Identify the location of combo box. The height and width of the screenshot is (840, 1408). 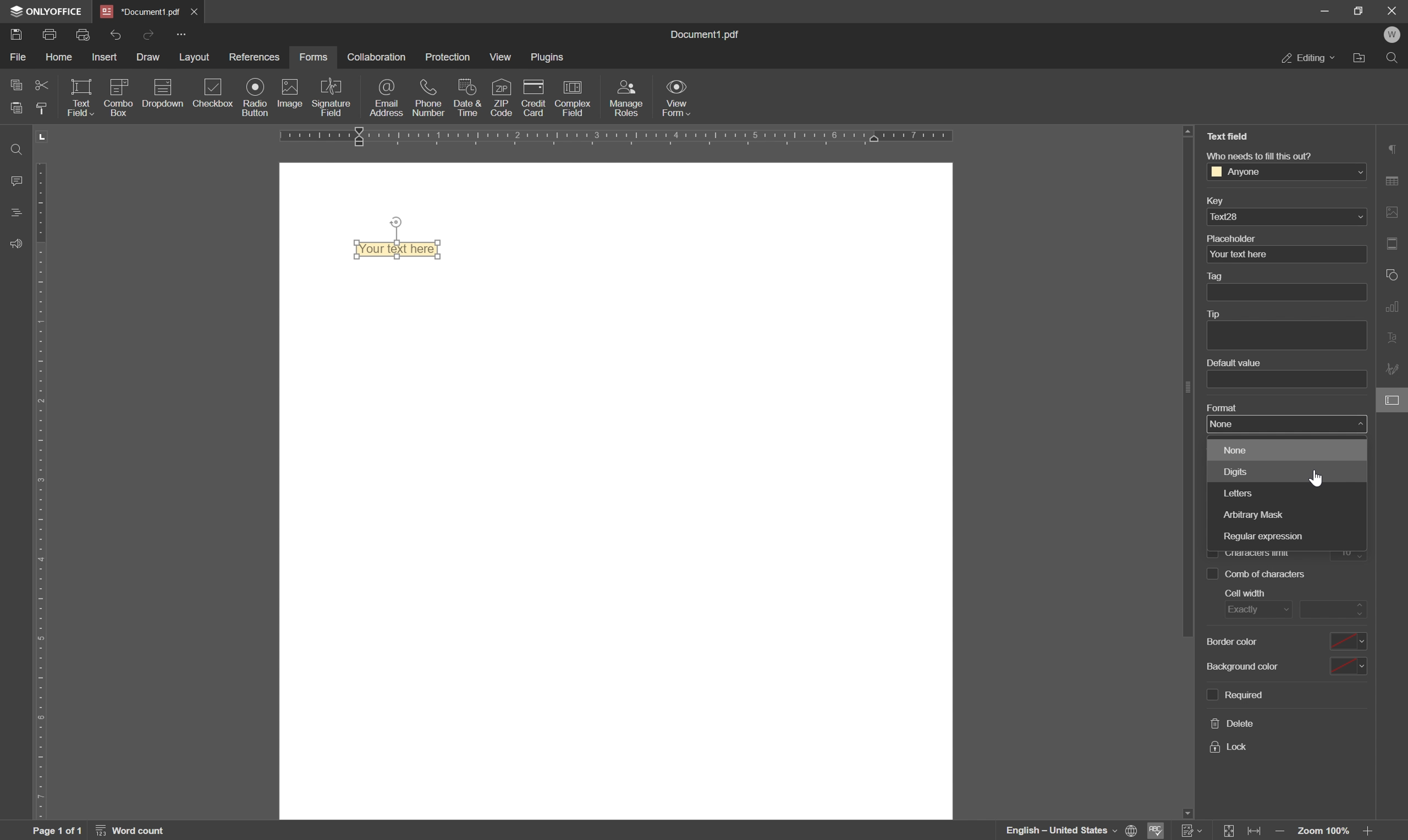
(118, 109).